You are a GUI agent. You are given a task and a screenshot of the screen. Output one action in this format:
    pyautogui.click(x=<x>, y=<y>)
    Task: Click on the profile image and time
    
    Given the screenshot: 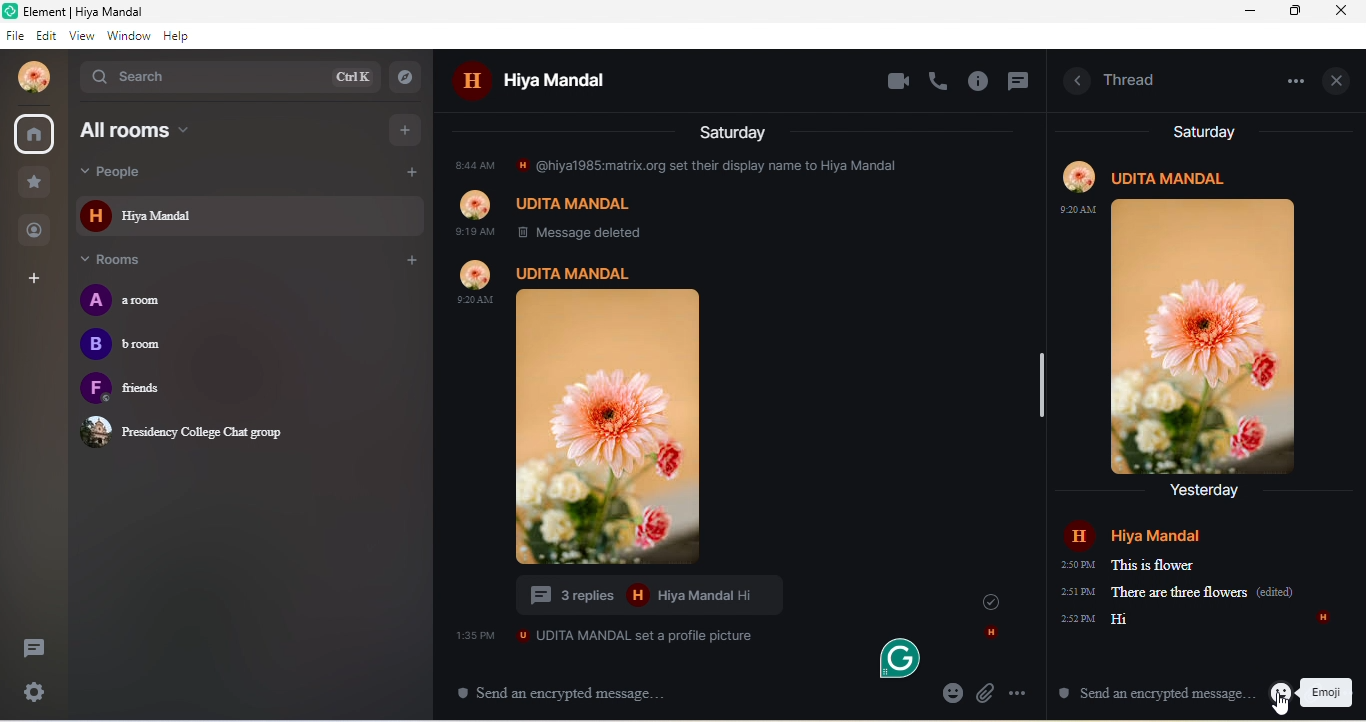 What is the action you would take?
    pyautogui.click(x=1075, y=186)
    